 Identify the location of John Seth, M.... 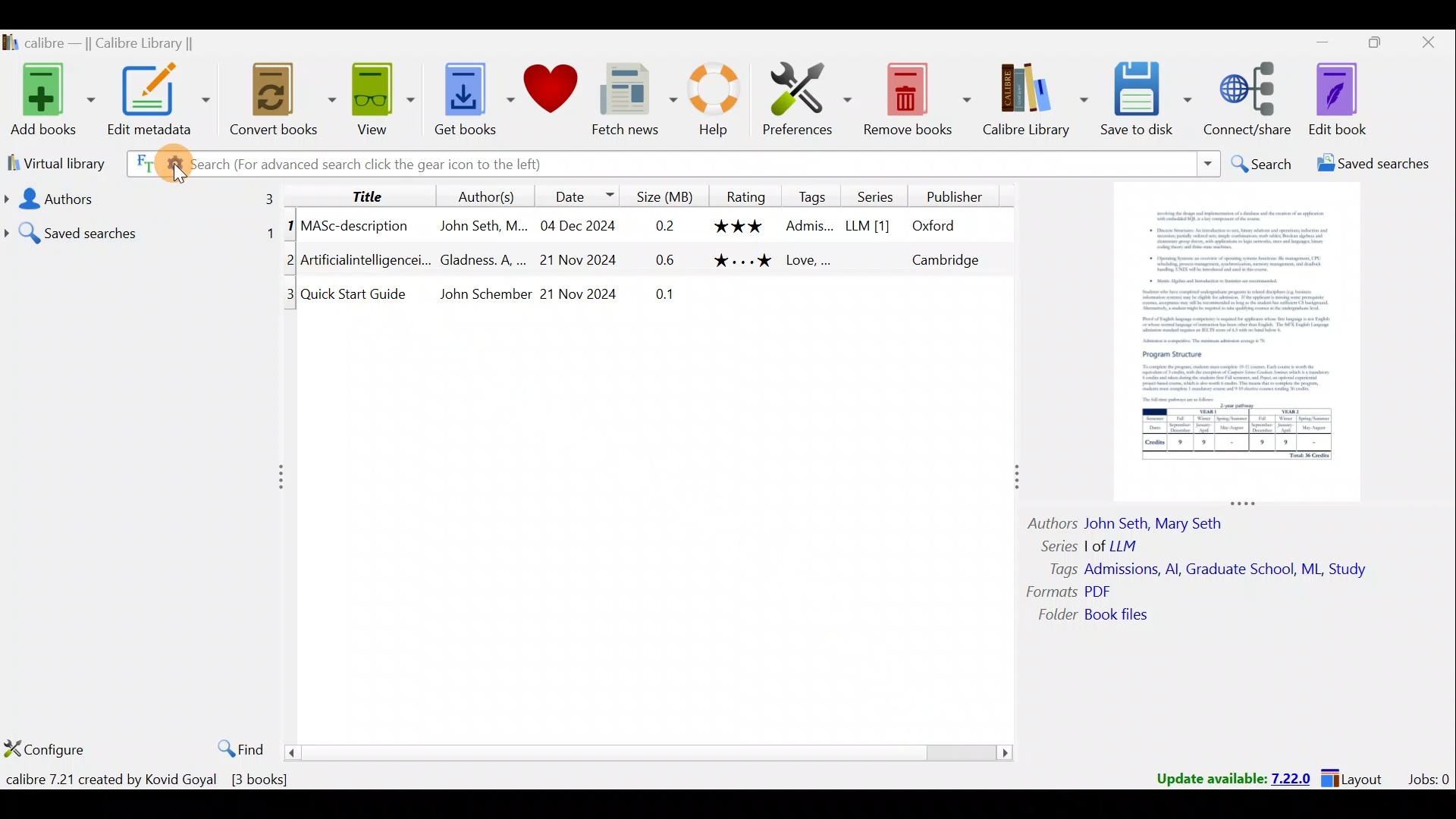
(483, 226).